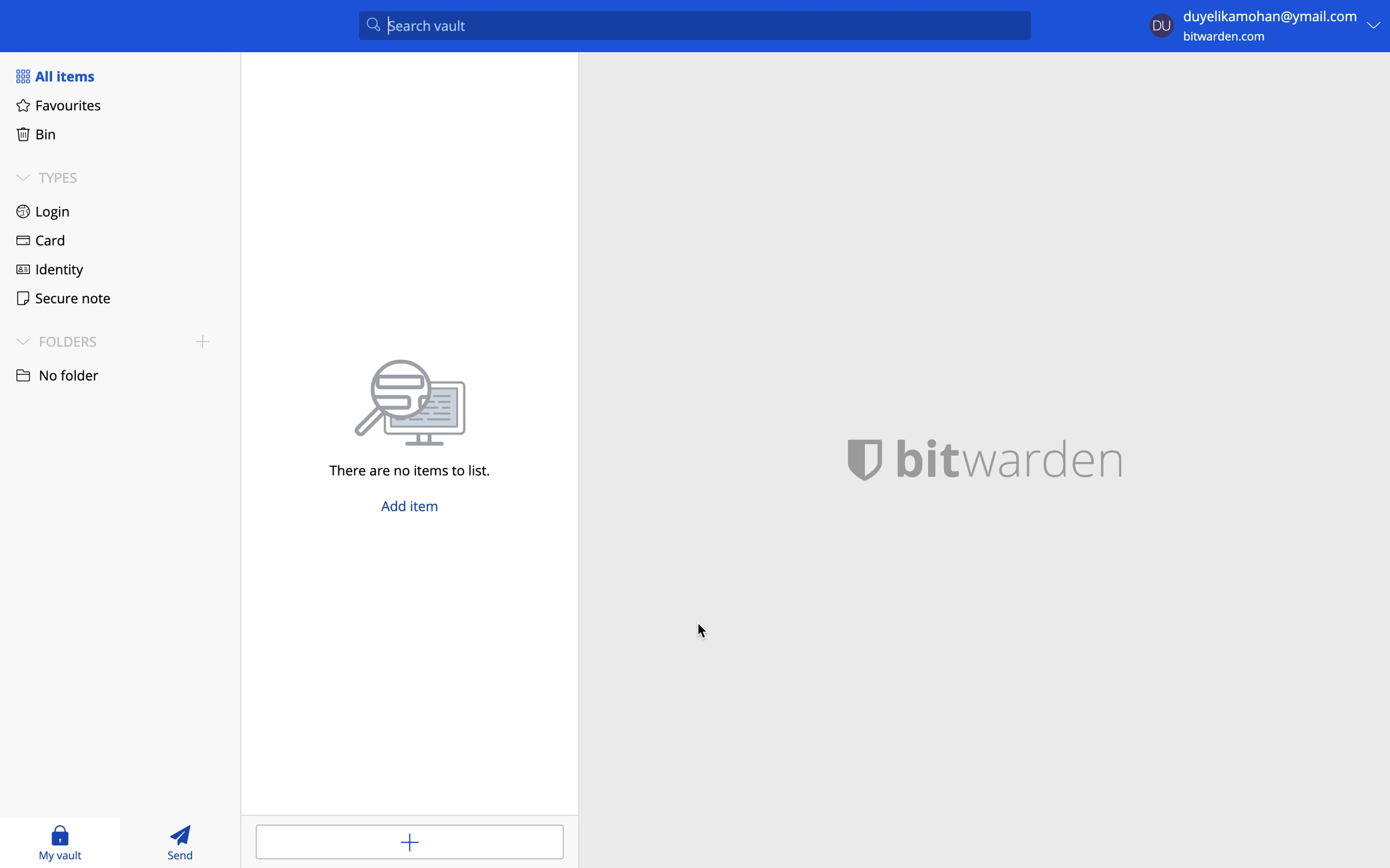  I want to click on secure note, so click(69, 300).